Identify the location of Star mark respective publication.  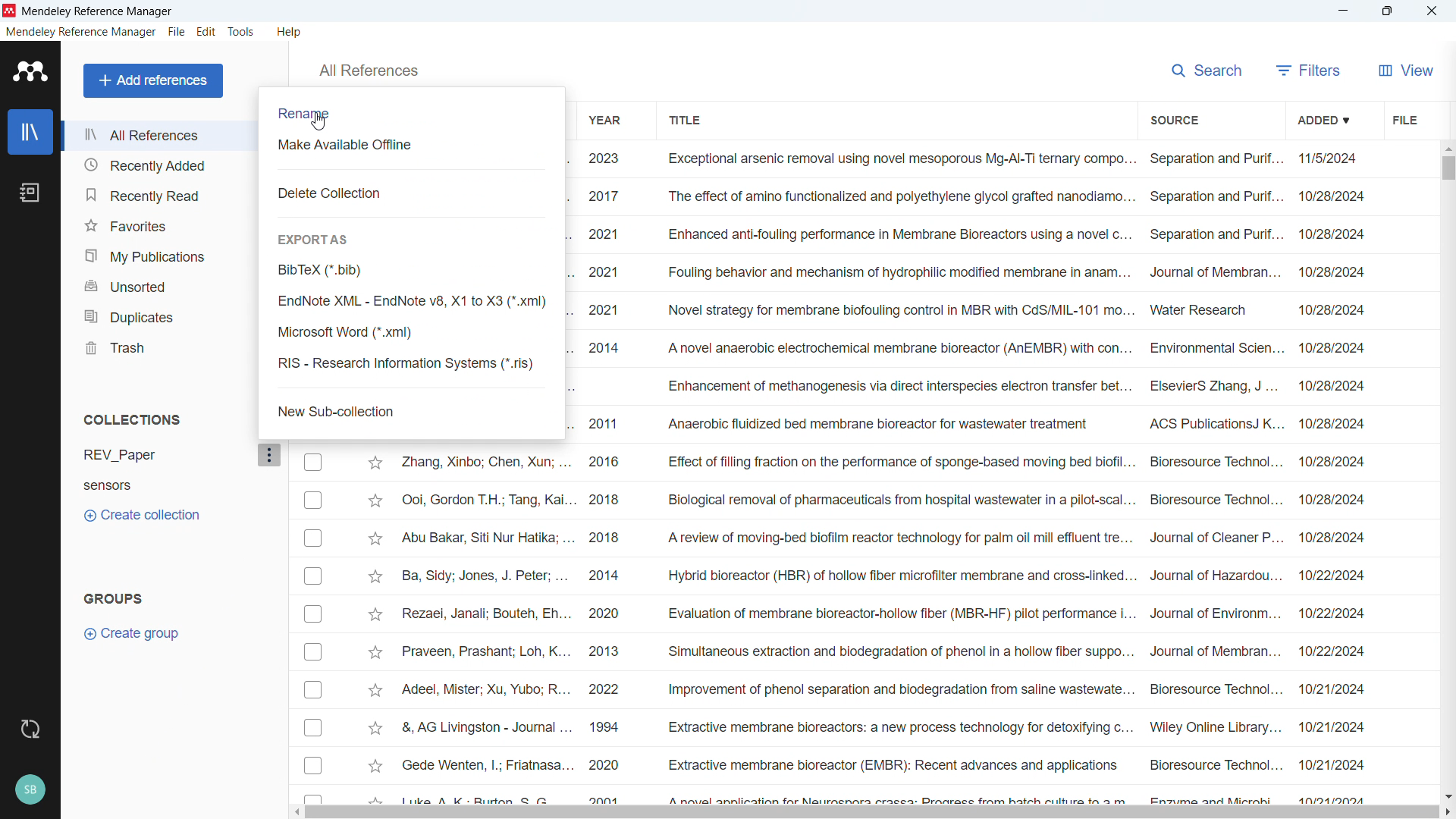
(376, 576).